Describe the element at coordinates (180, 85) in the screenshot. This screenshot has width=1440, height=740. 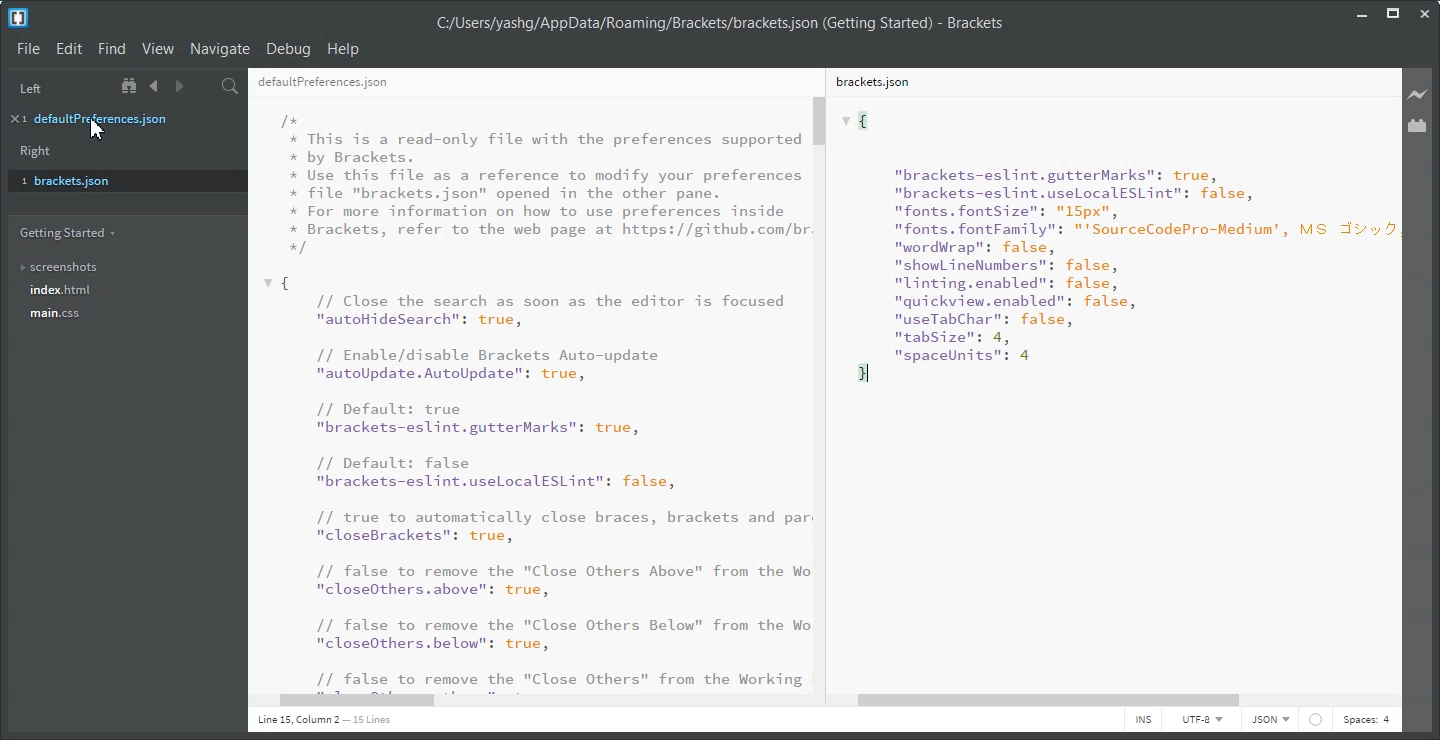
I see `Navigate Forward` at that location.